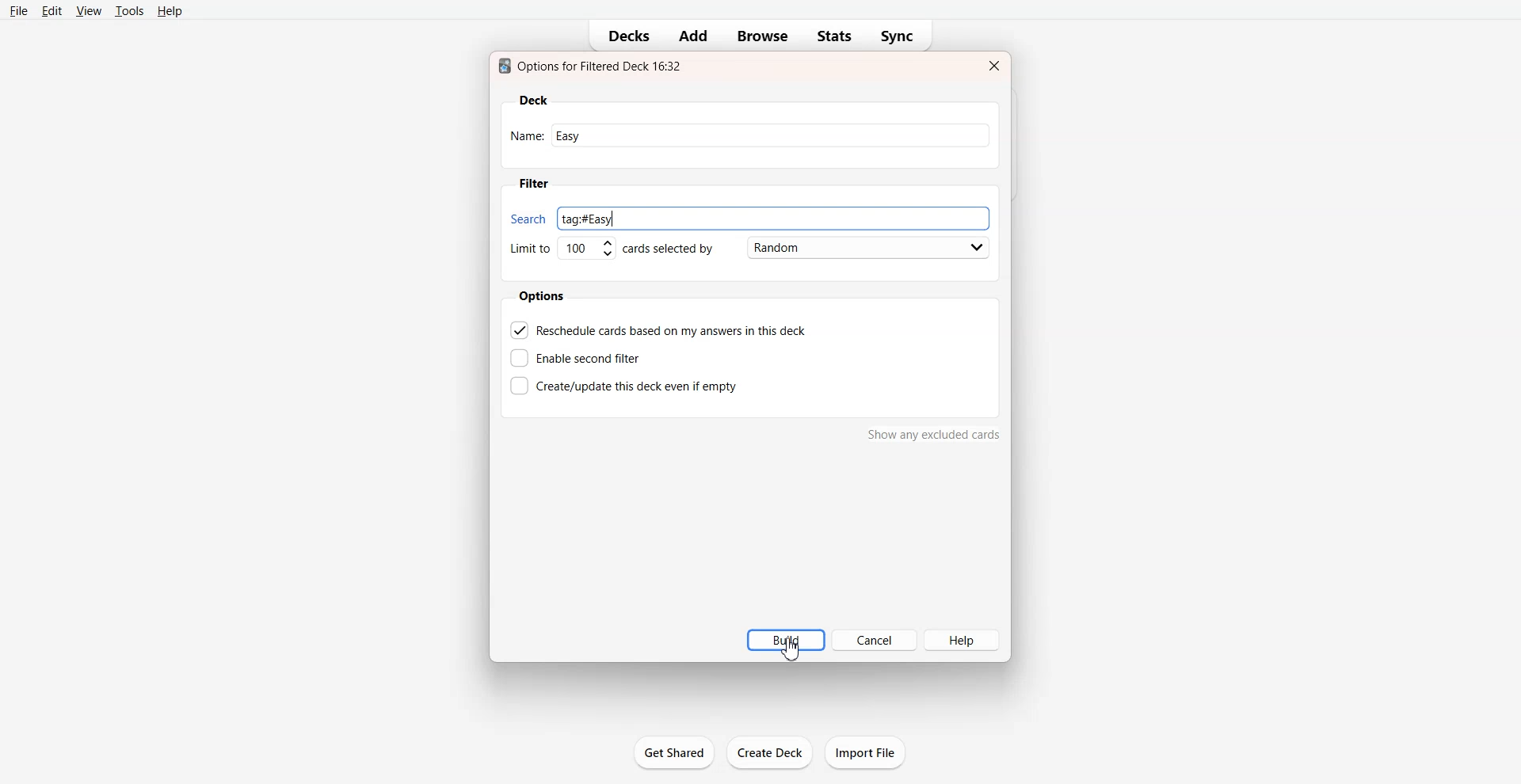  What do you see at coordinates (129, 10) in the screenshot?
I see `Tools` at bounding box center [129, 10].